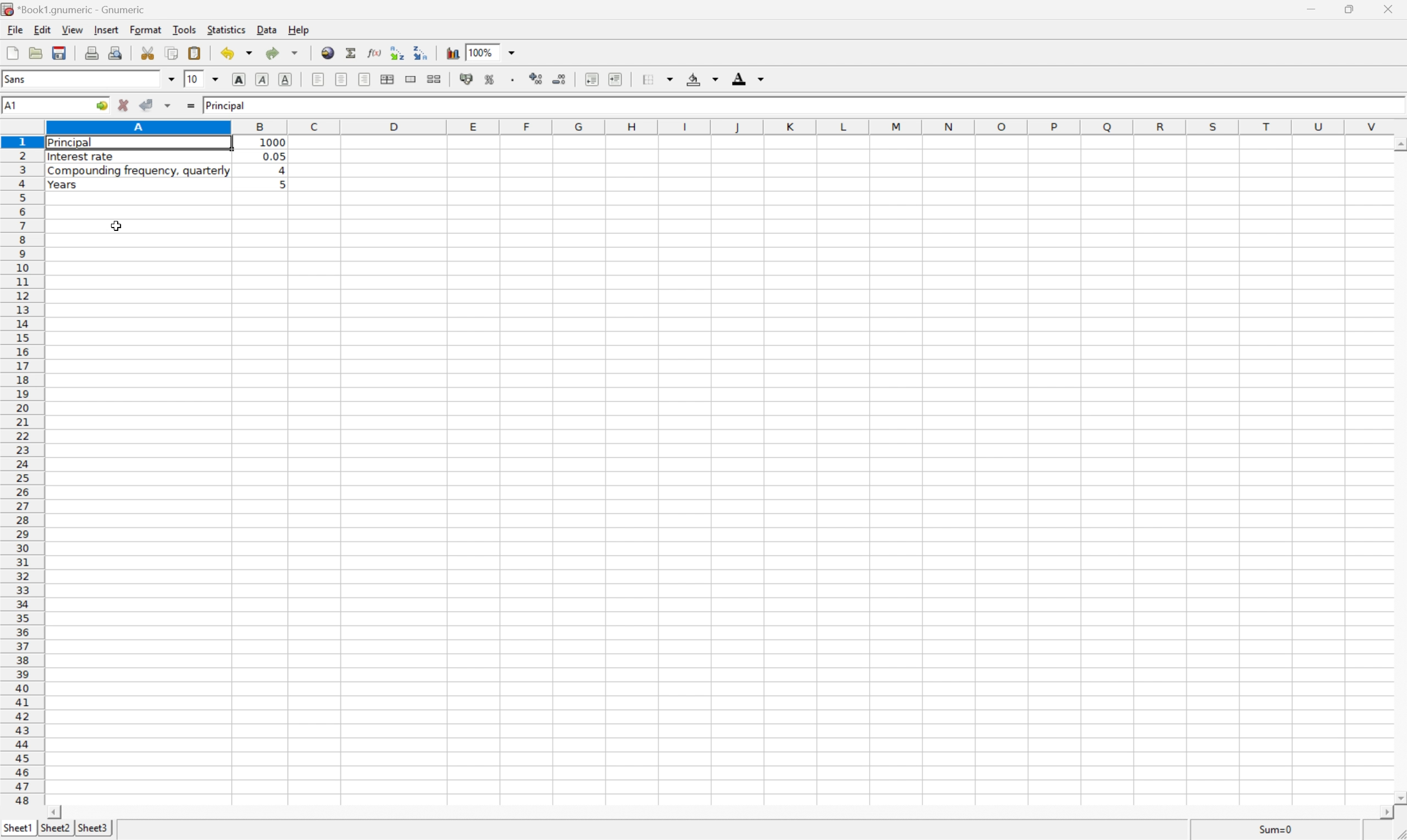 This screenshot has height=840, width=1407. Describe the element at coordinates (189, 107) in the screenshot. I see `enter formula` at that location.